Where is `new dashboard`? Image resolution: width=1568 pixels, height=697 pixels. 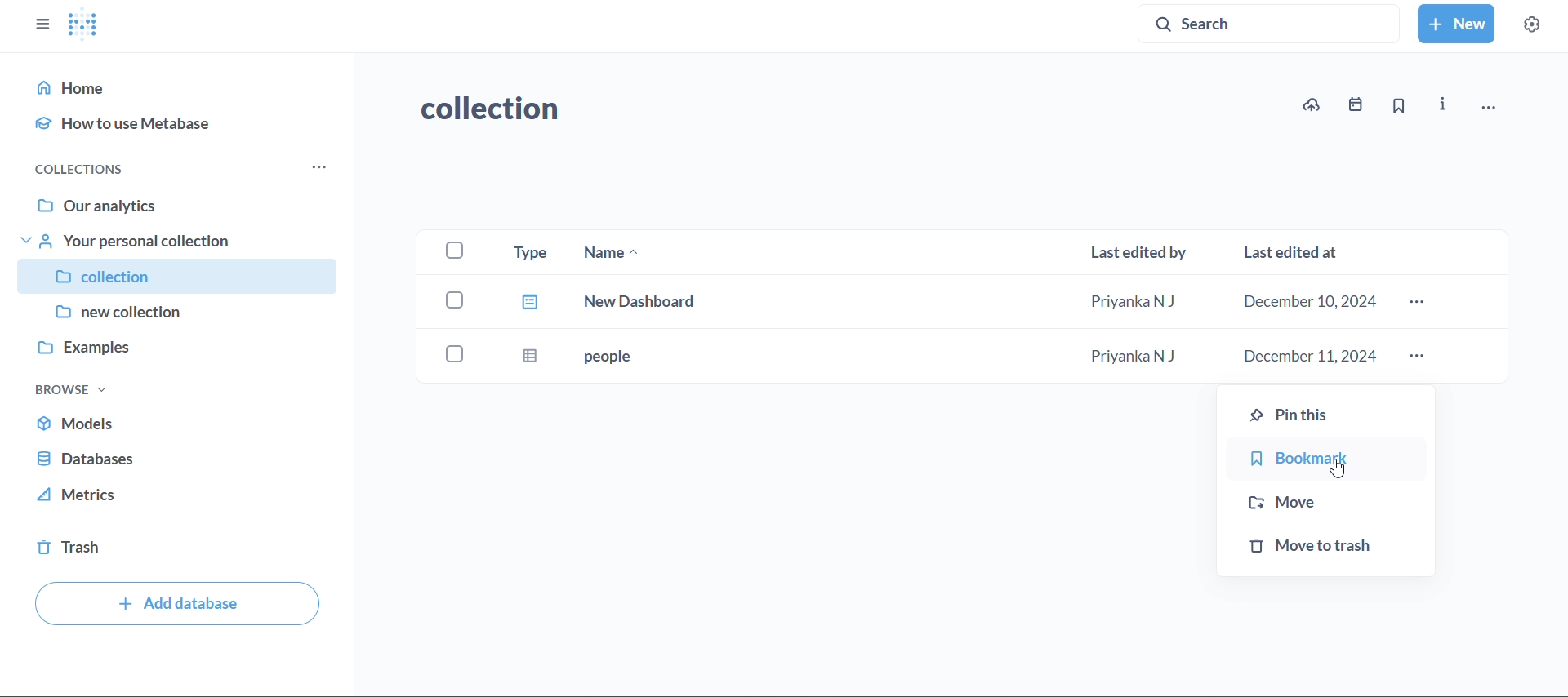 new dashboard is located at coordinates (645, 302).